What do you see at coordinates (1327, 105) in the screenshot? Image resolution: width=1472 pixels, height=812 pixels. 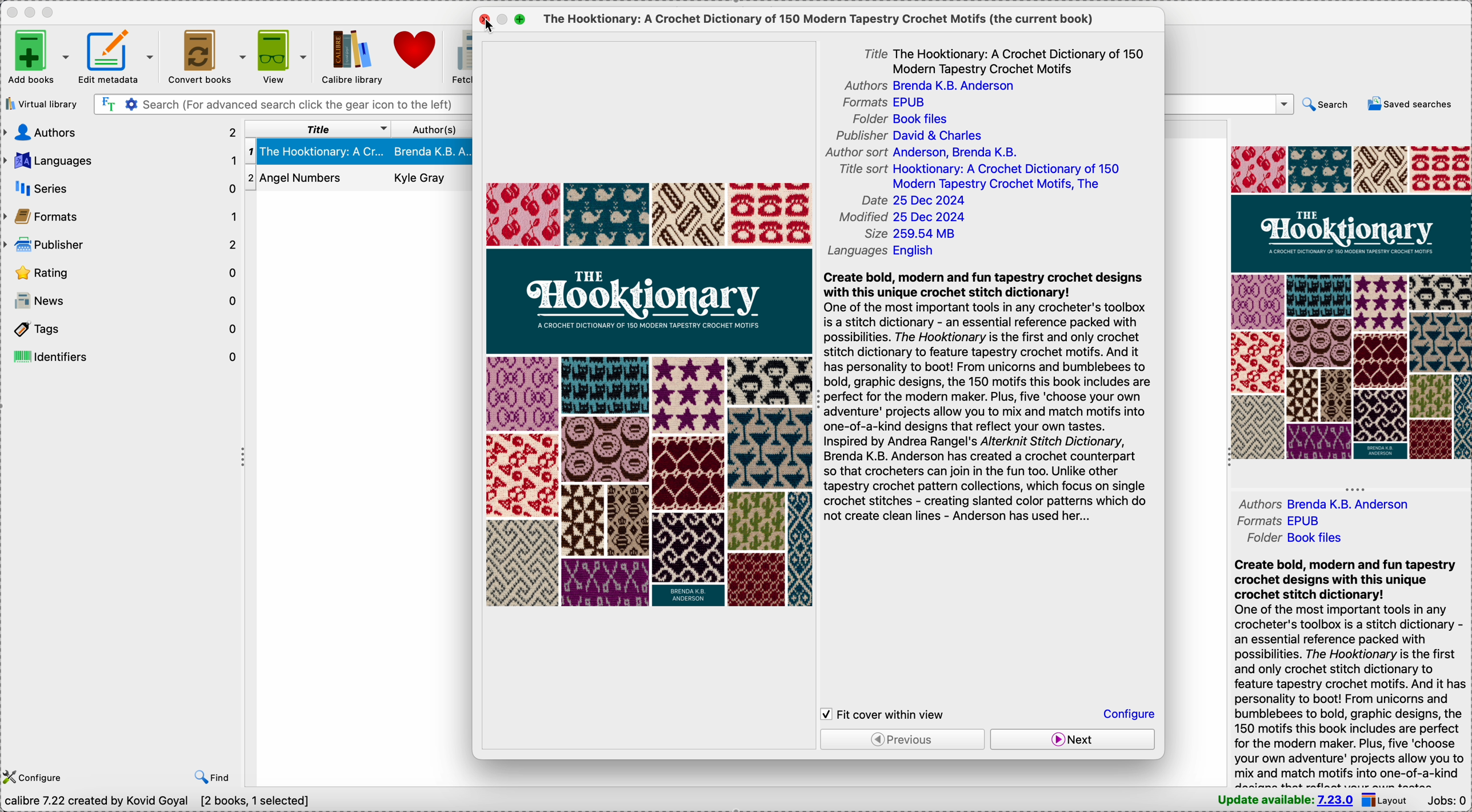 I see `search` at bounding box center [1327, 105].